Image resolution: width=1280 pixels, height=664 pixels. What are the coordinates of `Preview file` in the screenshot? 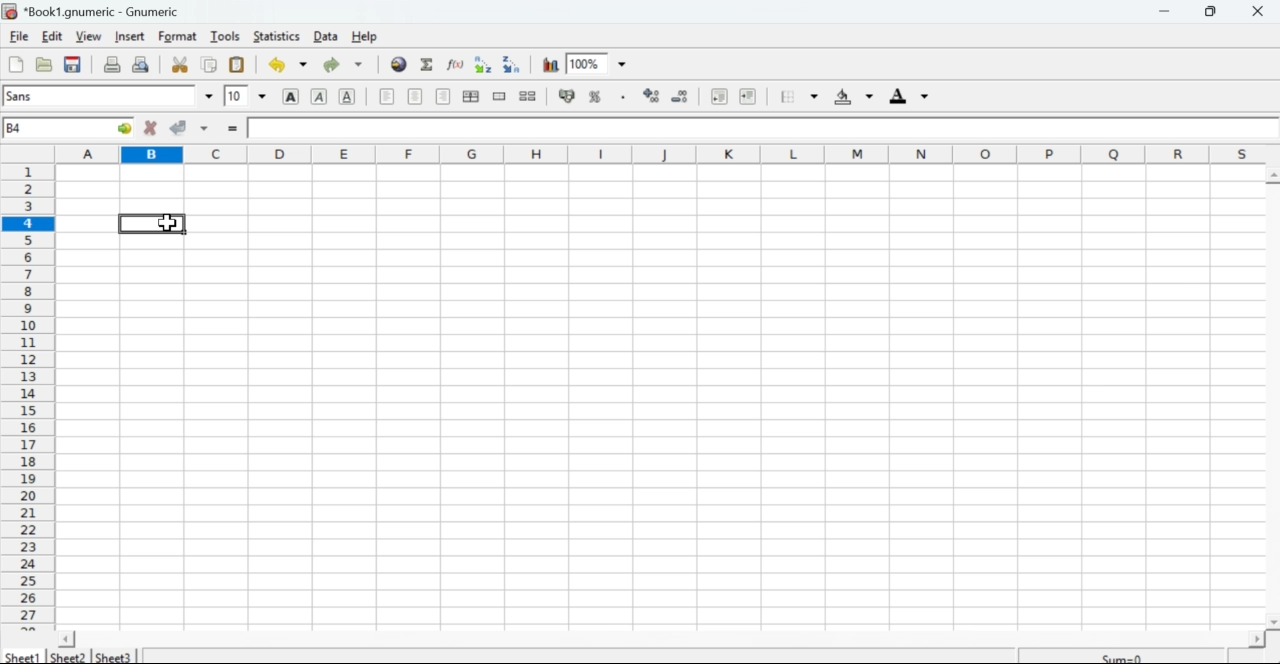 It's located at (142, 63).